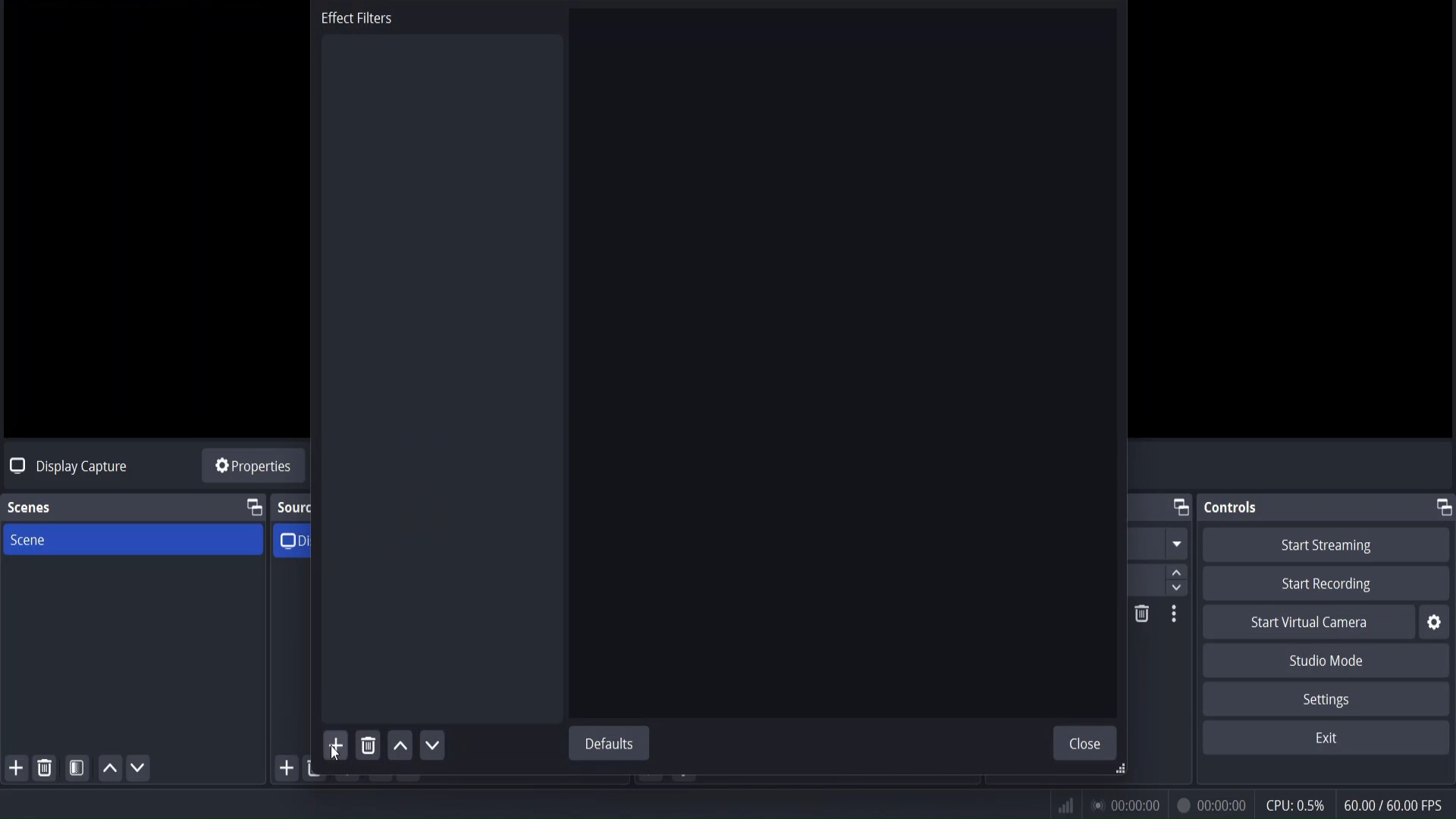 This screenshot has height=819, width=1456. I want to click on status, so click(1122, 802).